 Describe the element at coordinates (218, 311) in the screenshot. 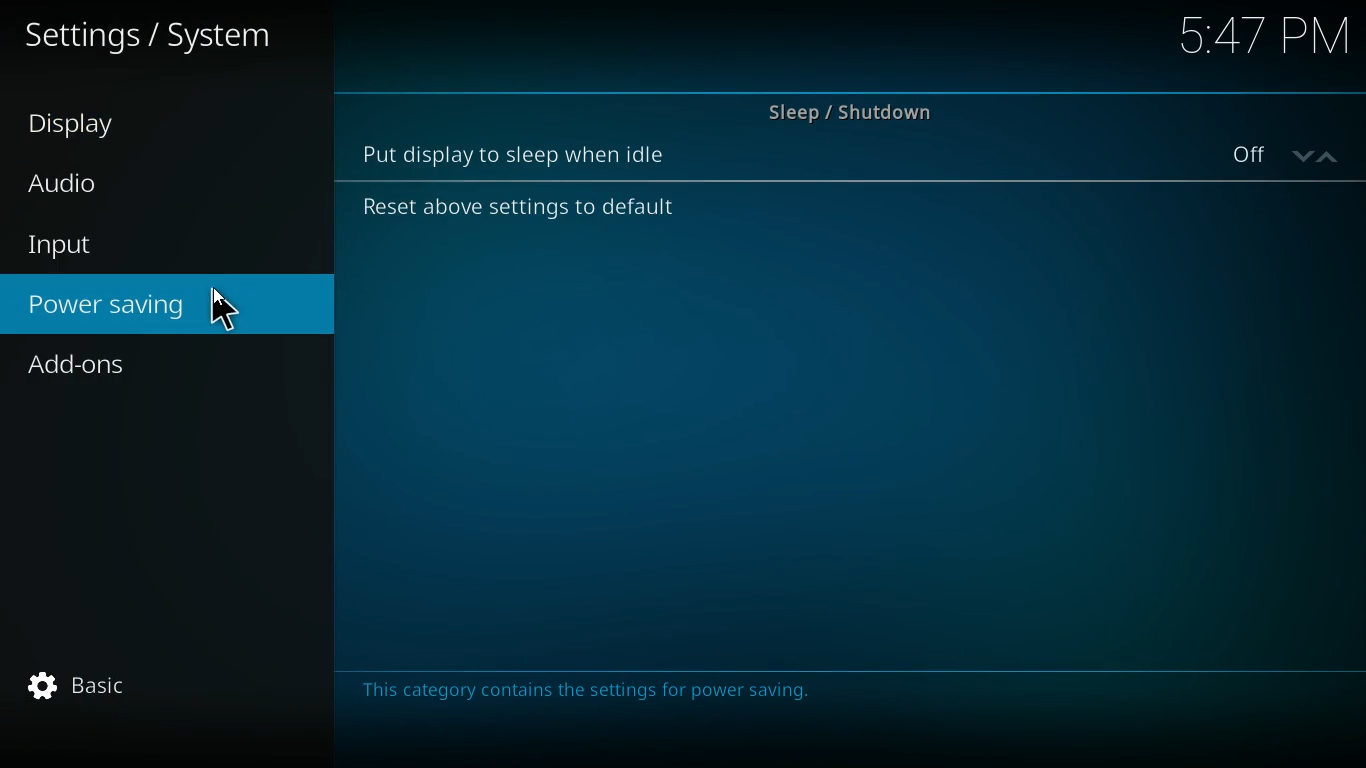

I see `Cursor` at that location.